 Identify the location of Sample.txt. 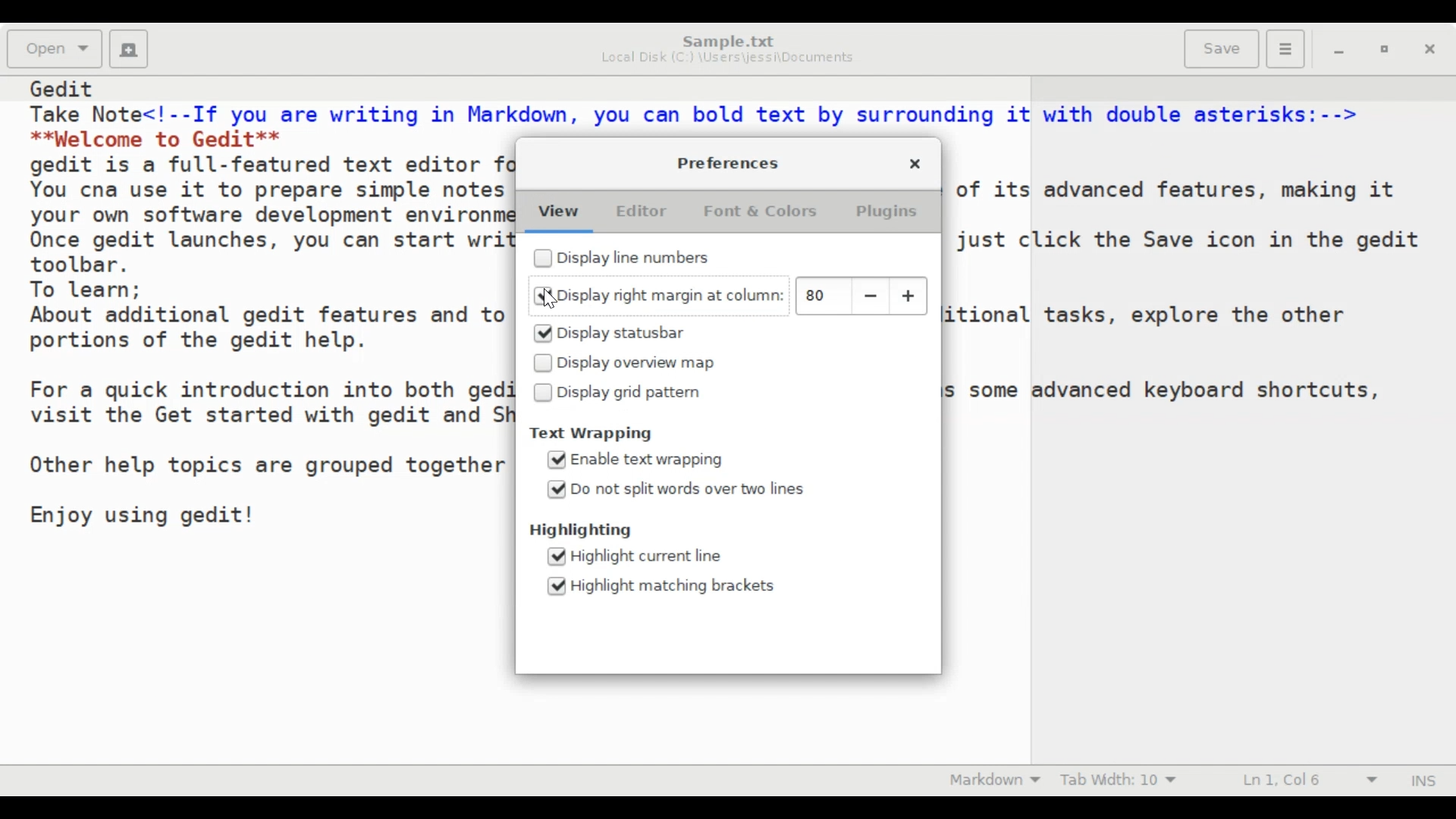
(729, 41).